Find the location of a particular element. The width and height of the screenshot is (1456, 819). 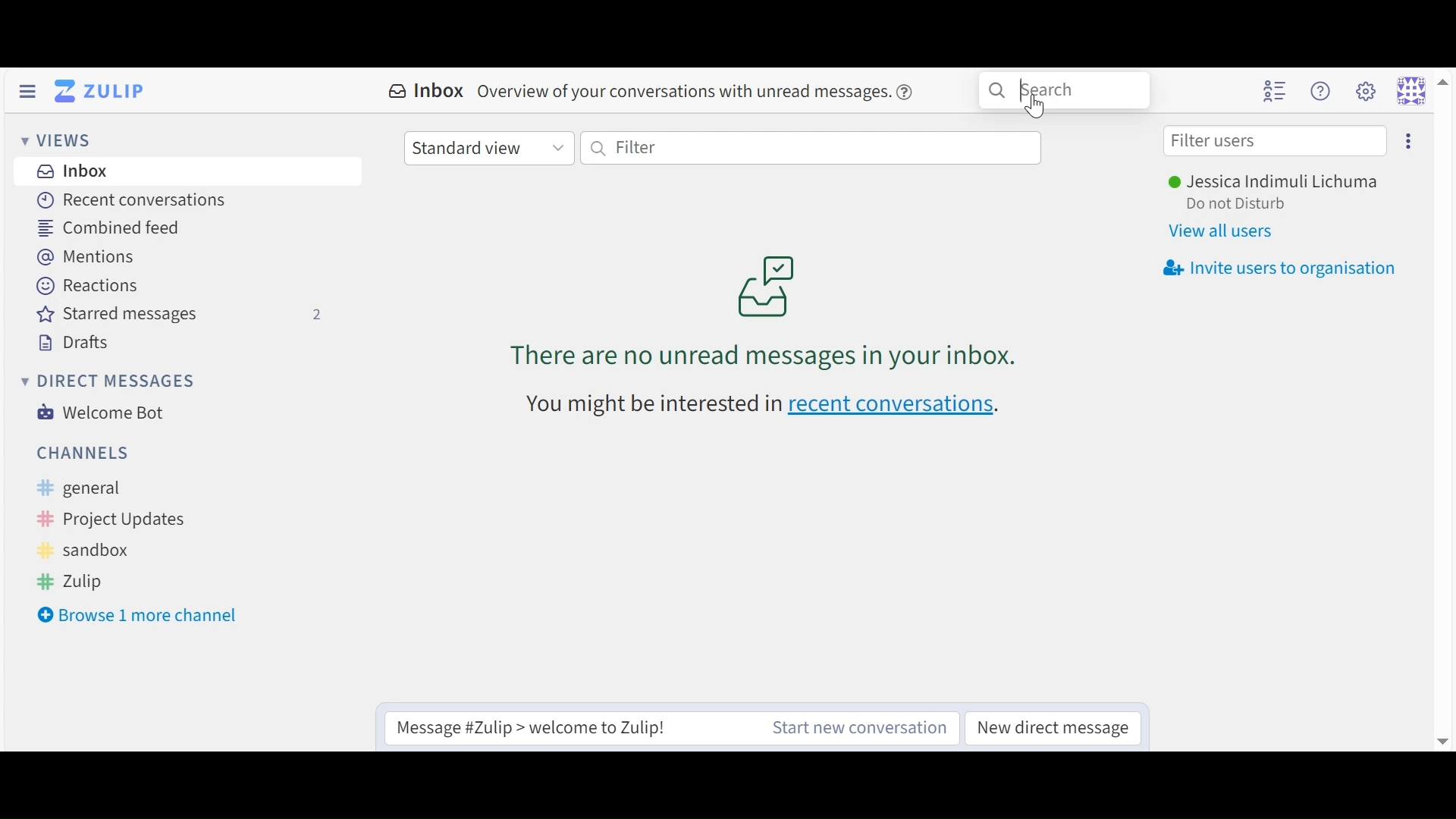

settings is located at coordinates (1409, 142).